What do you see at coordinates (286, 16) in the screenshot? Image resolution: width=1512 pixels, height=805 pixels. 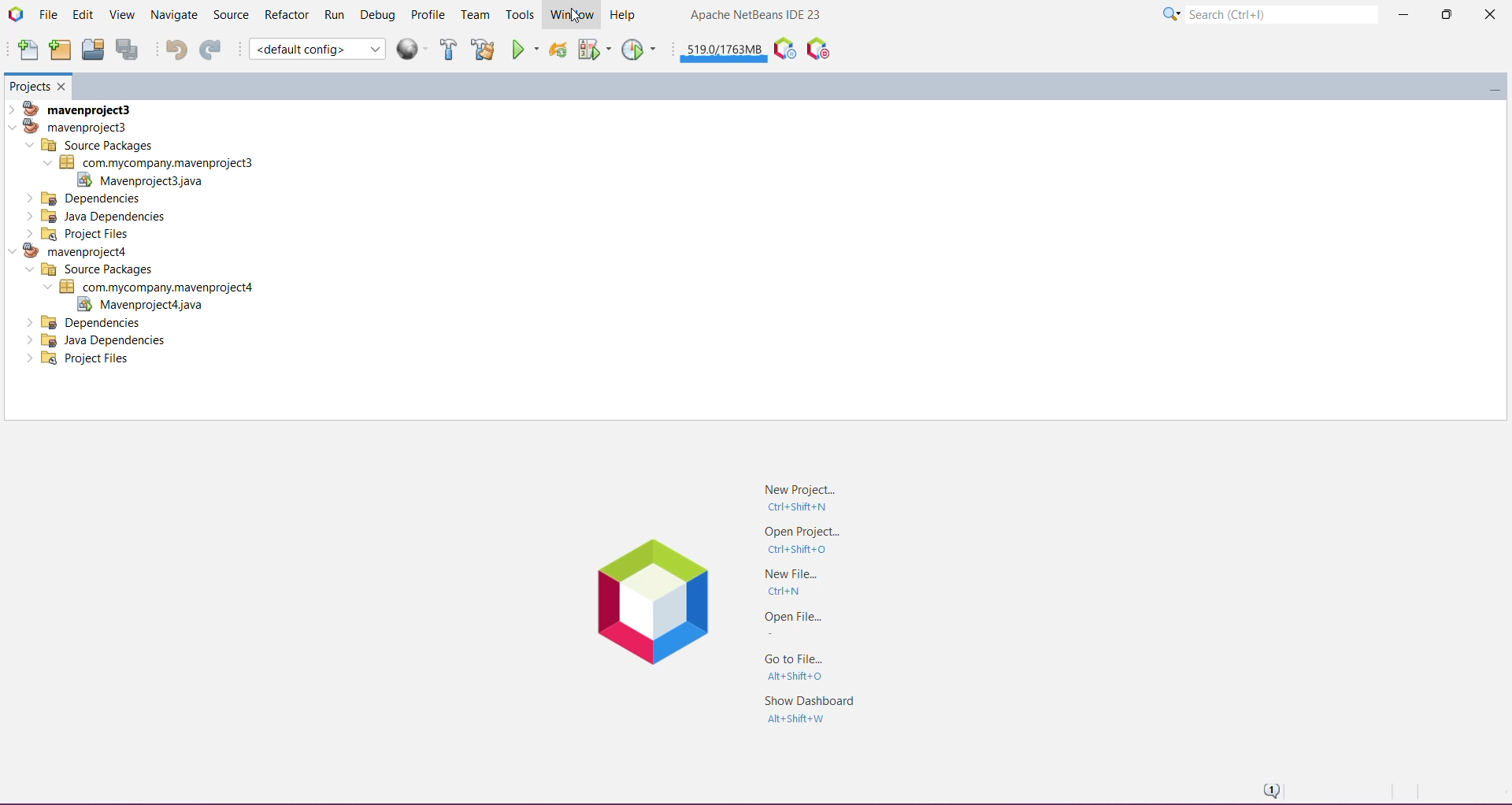 I see `Refactor` at bounding box center [286, 16].